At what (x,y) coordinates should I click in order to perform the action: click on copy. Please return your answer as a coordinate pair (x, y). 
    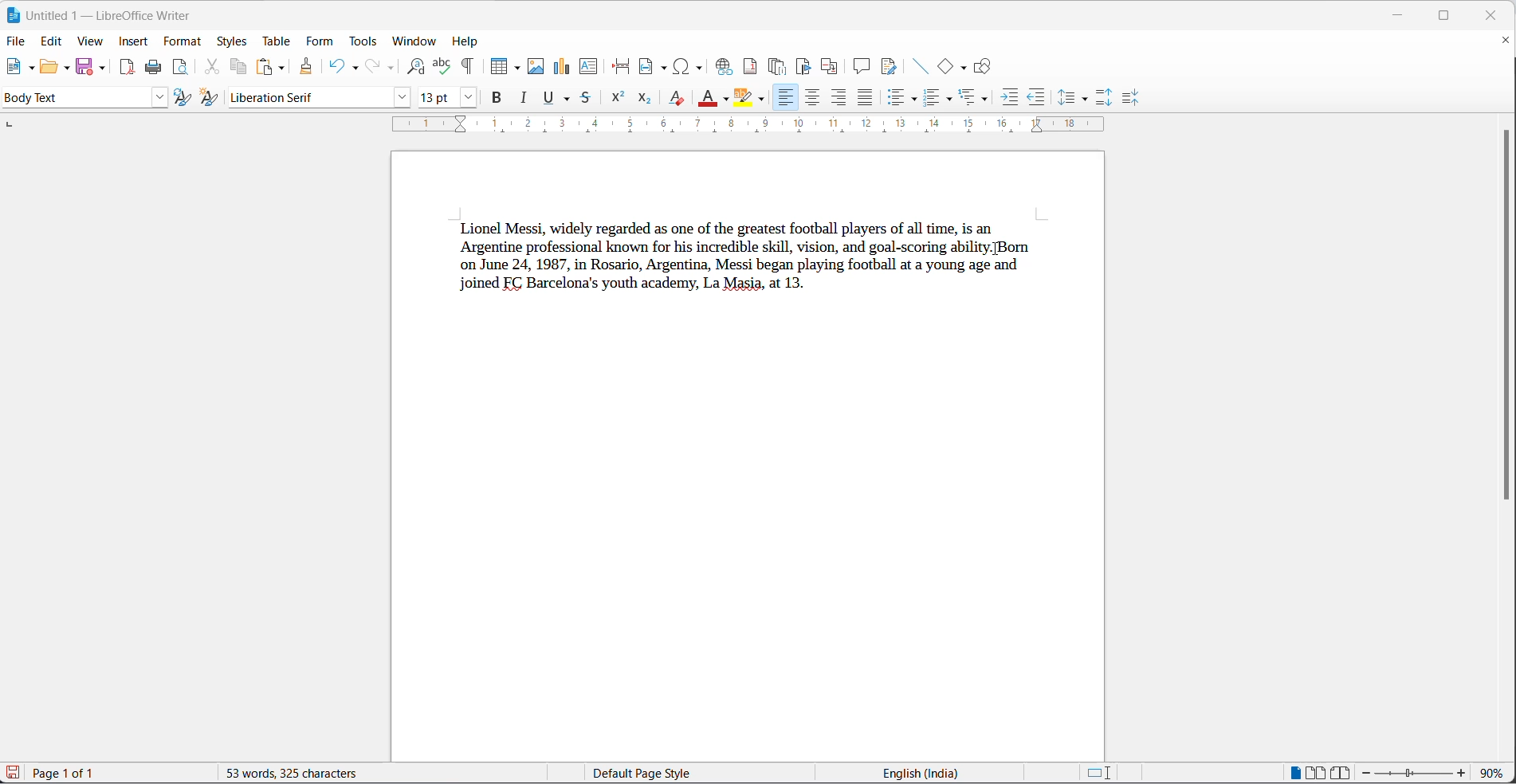
    Looking at the image, I should click on (238, 68).